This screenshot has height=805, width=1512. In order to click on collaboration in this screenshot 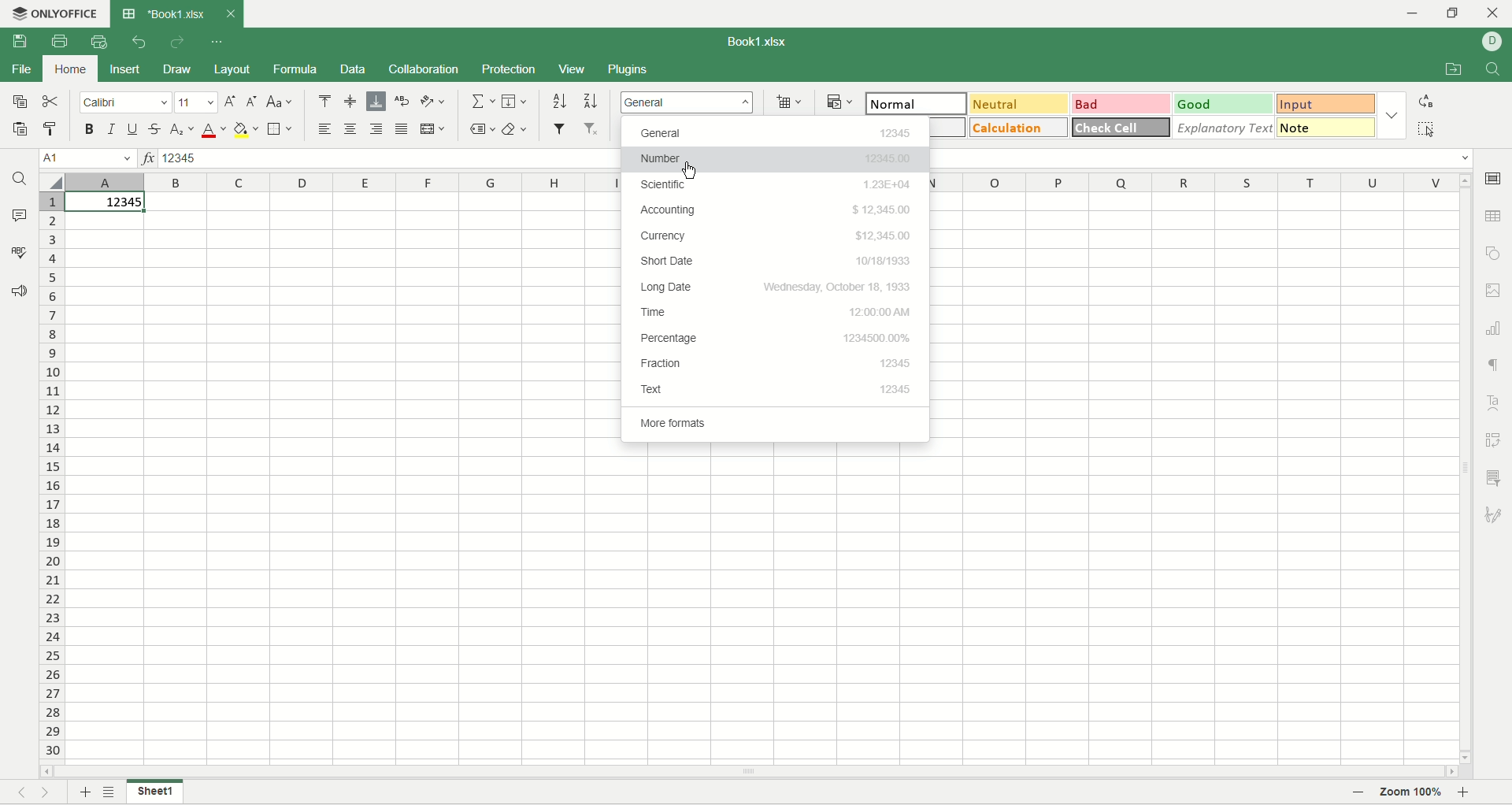, I will do `click(424, 70)`.